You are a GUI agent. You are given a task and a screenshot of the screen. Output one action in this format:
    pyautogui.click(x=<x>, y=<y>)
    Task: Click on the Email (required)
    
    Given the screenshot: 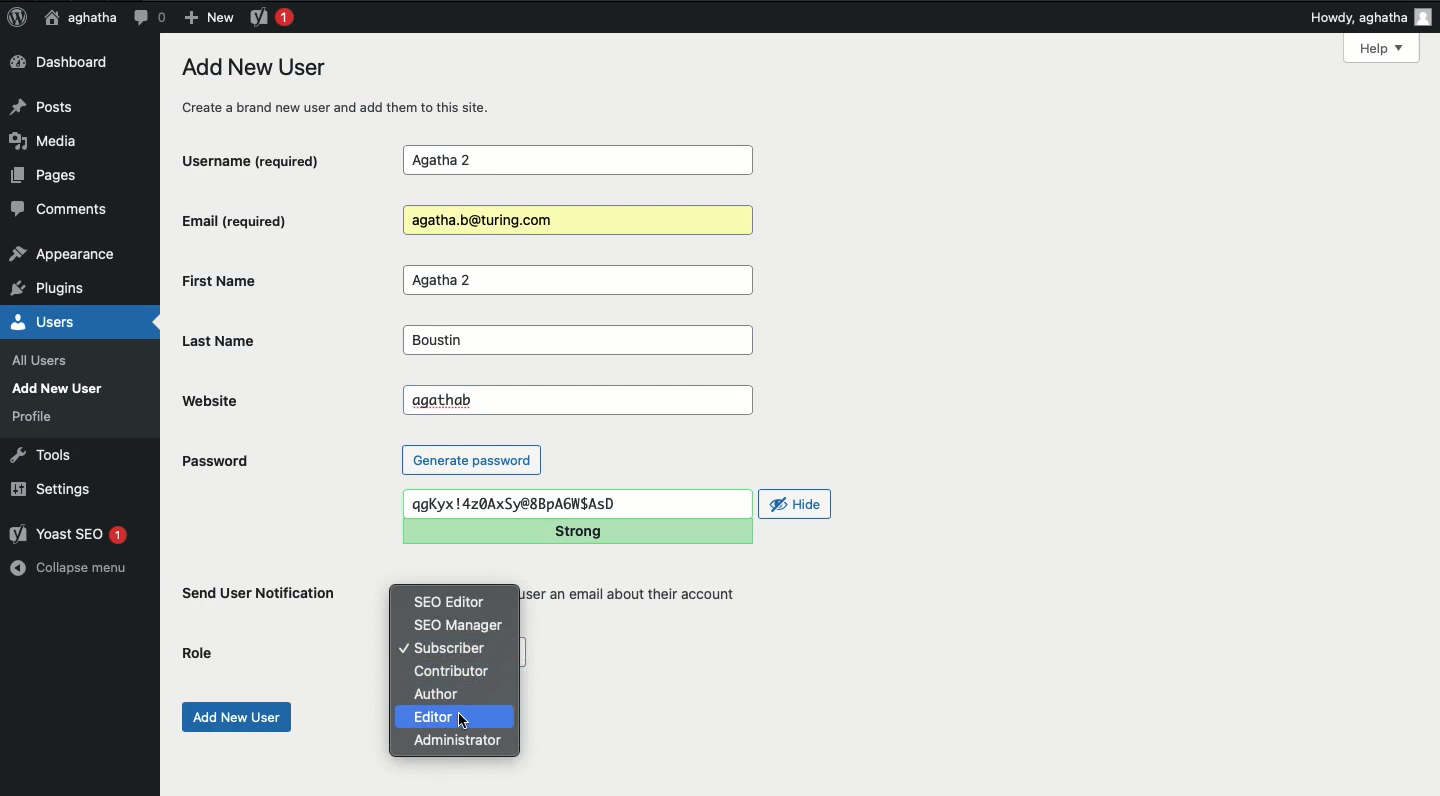 What is the action you would take?
    pyautogui.click(x=269, y=220)
    